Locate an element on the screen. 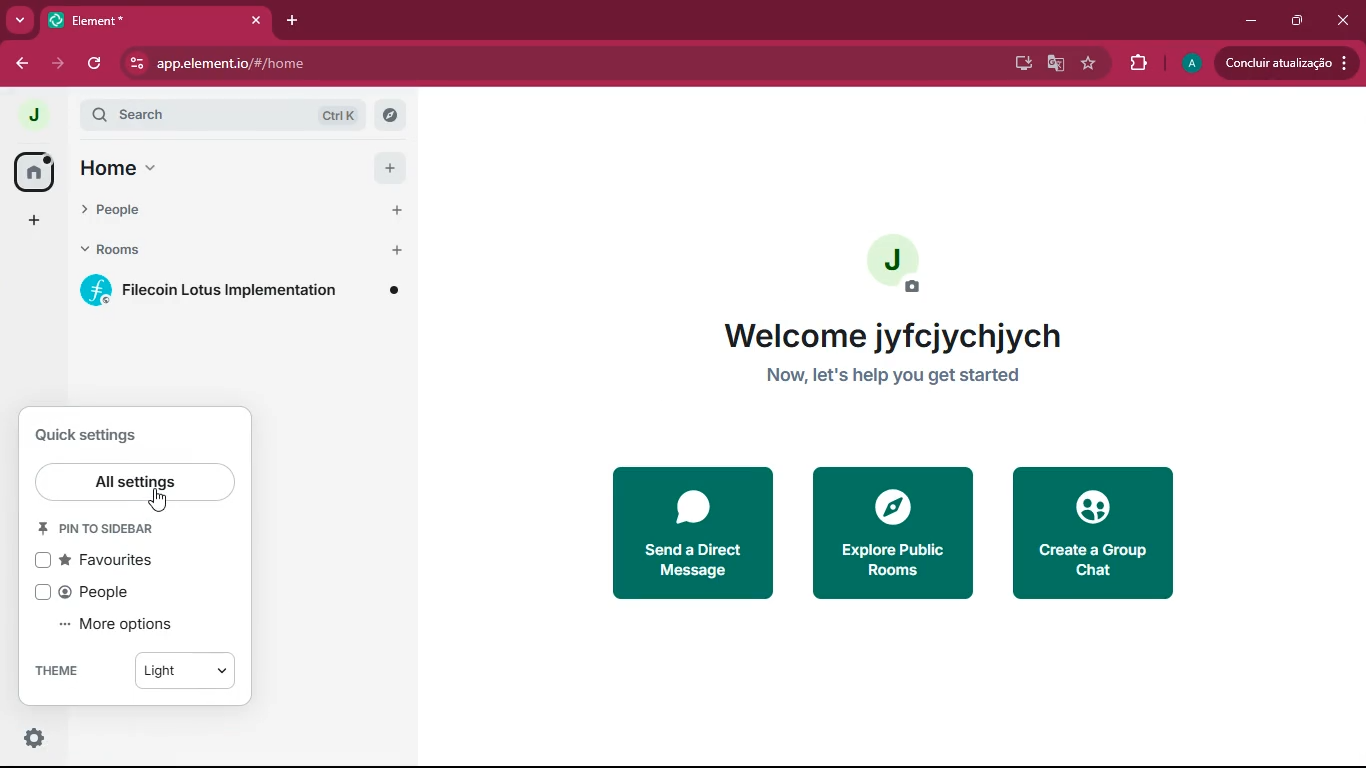 This screenshot has height=768, width=1366. Now let's help you get started  is located at coordinates (929, 379).